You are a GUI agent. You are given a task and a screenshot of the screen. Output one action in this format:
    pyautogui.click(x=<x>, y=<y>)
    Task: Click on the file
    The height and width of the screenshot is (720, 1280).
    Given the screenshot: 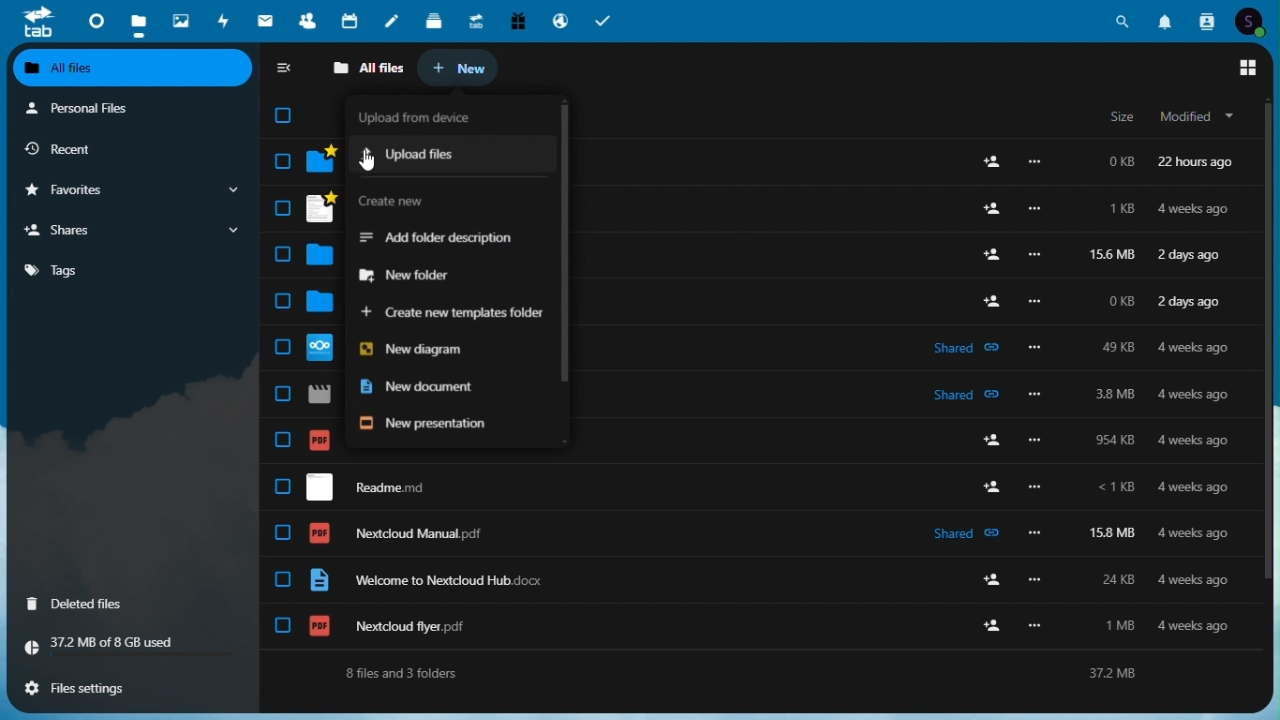 What is the action you would take?
    pyautogui.click(x=322, y=208)
    